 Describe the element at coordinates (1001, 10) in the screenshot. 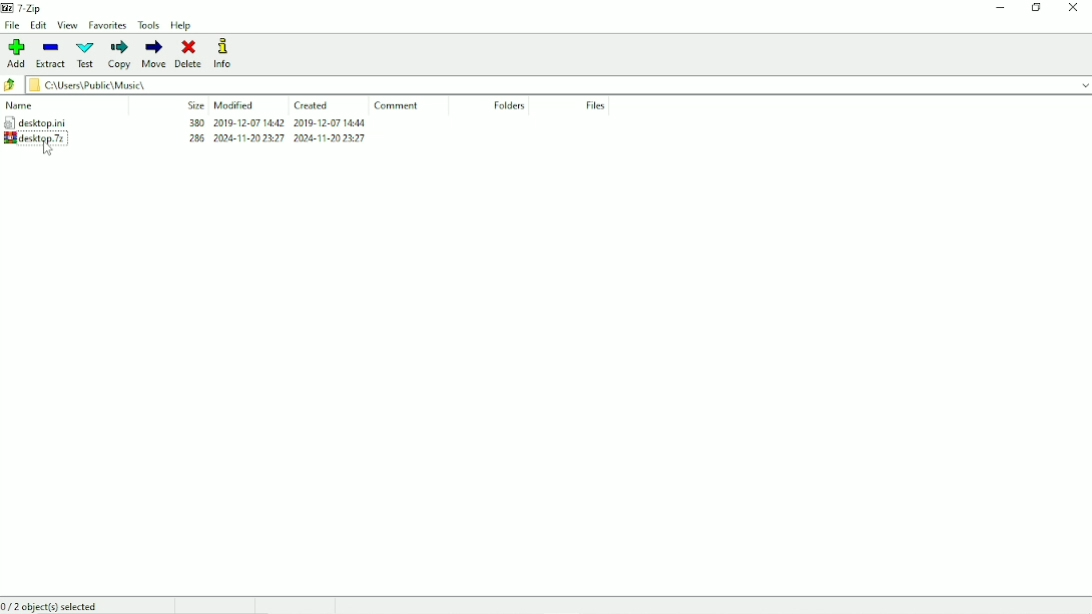

I see `Minimize` at that location.